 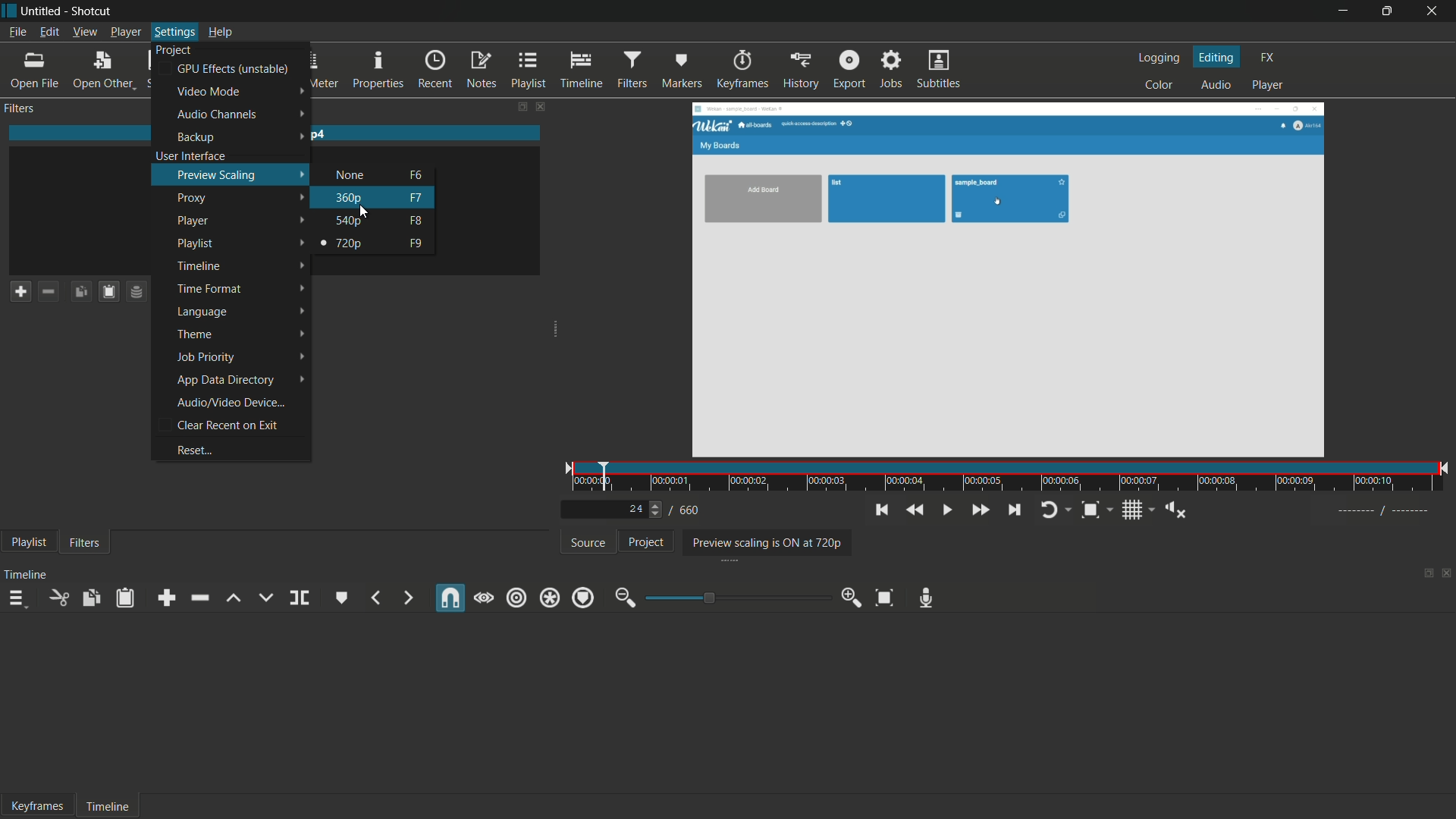 What do you see at coordinates (886, 597) in the screenshot?
I see `zoom timeline to fit` at bounding box center [886, 597].